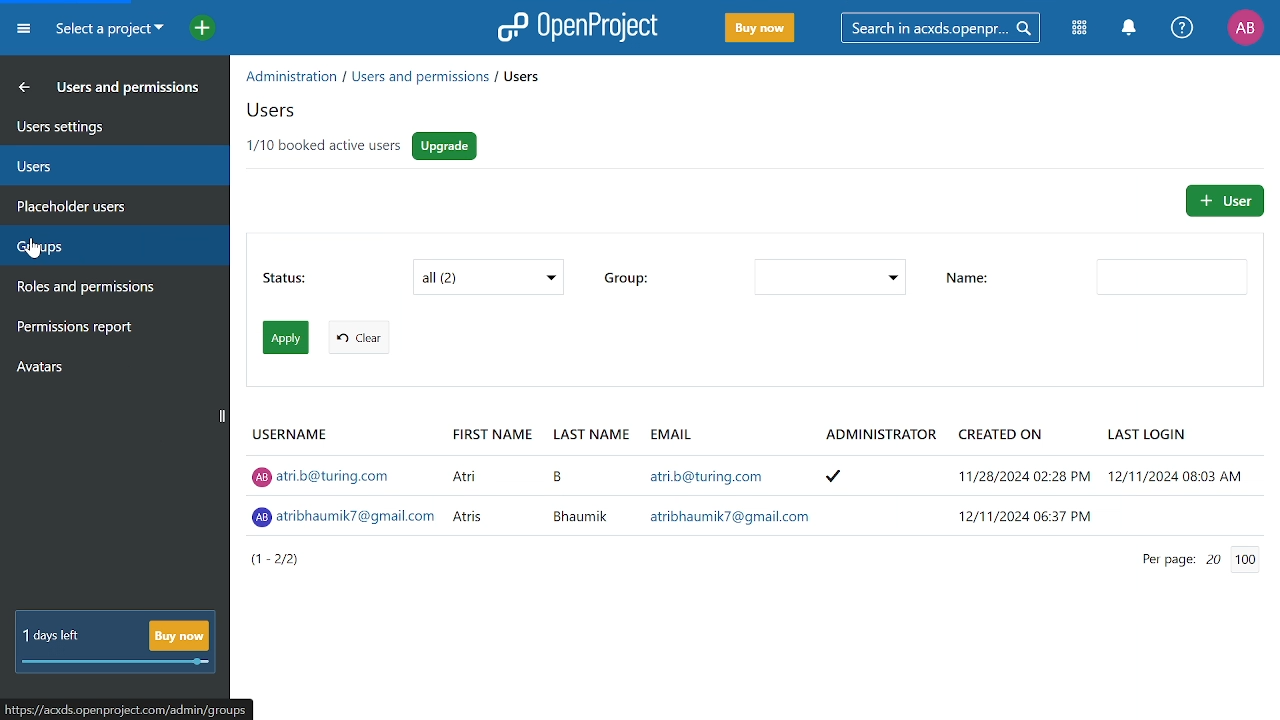 This screenshot has width=1280, height=720. What do you see at coordinates (112, 204) in the screenshot?
I see `Placeholders users` at bounding box center [112, 204].